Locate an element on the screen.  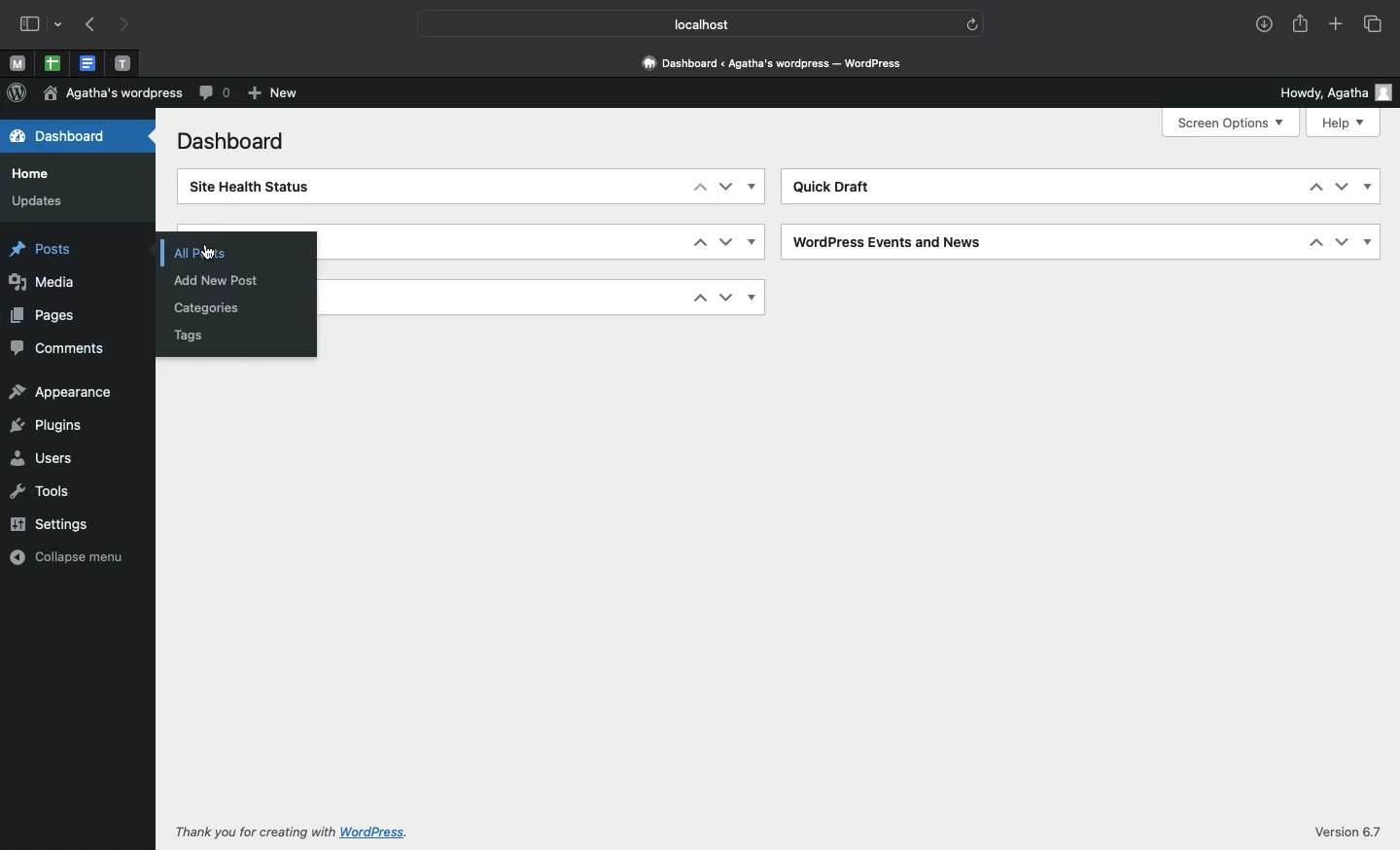
Tabs is located at coordinates (1372, 23).